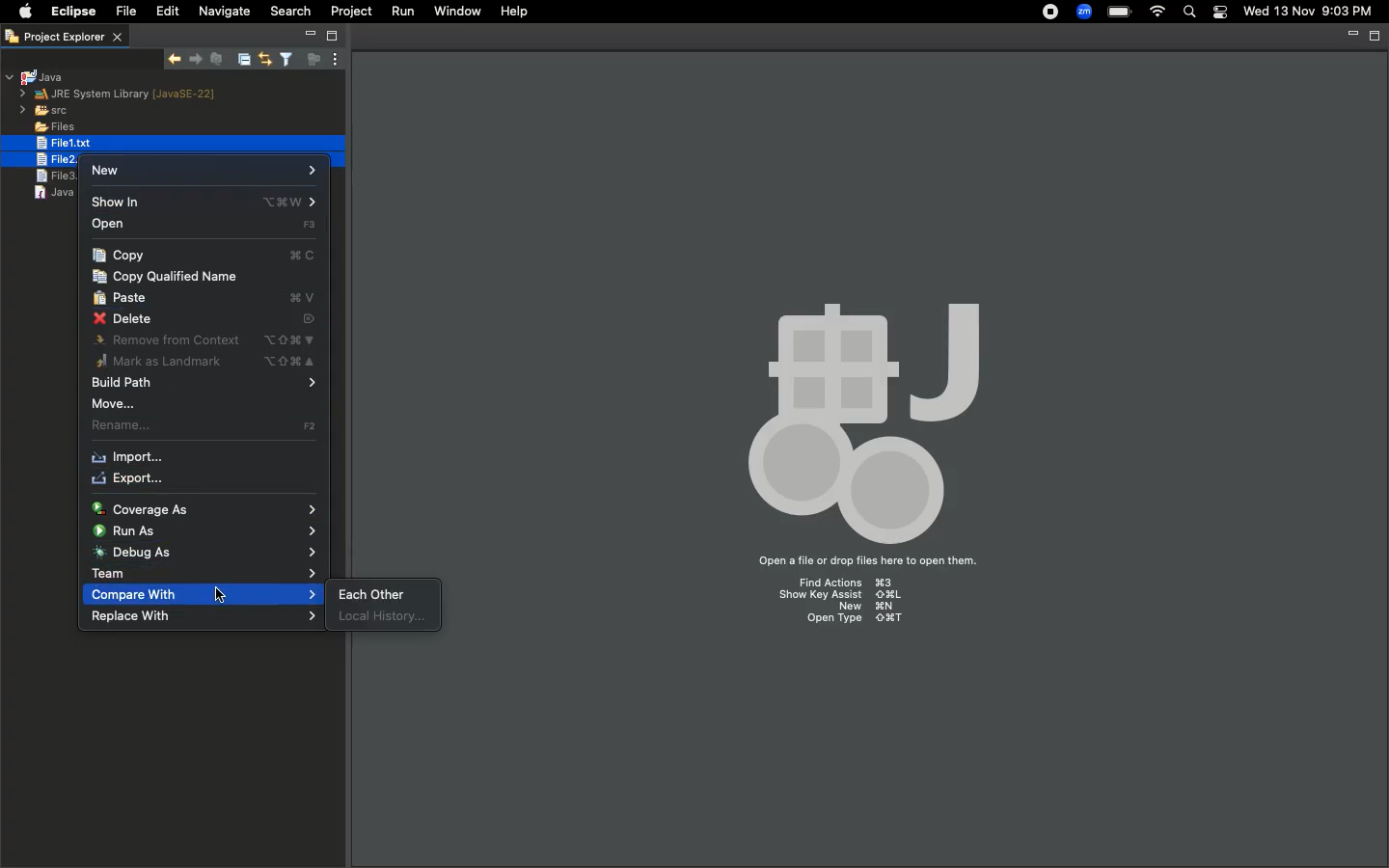 The image size is (1389, 868). Describe the element at coordinates (1222, 12) in the screenshot. I see `Notification` at that location.